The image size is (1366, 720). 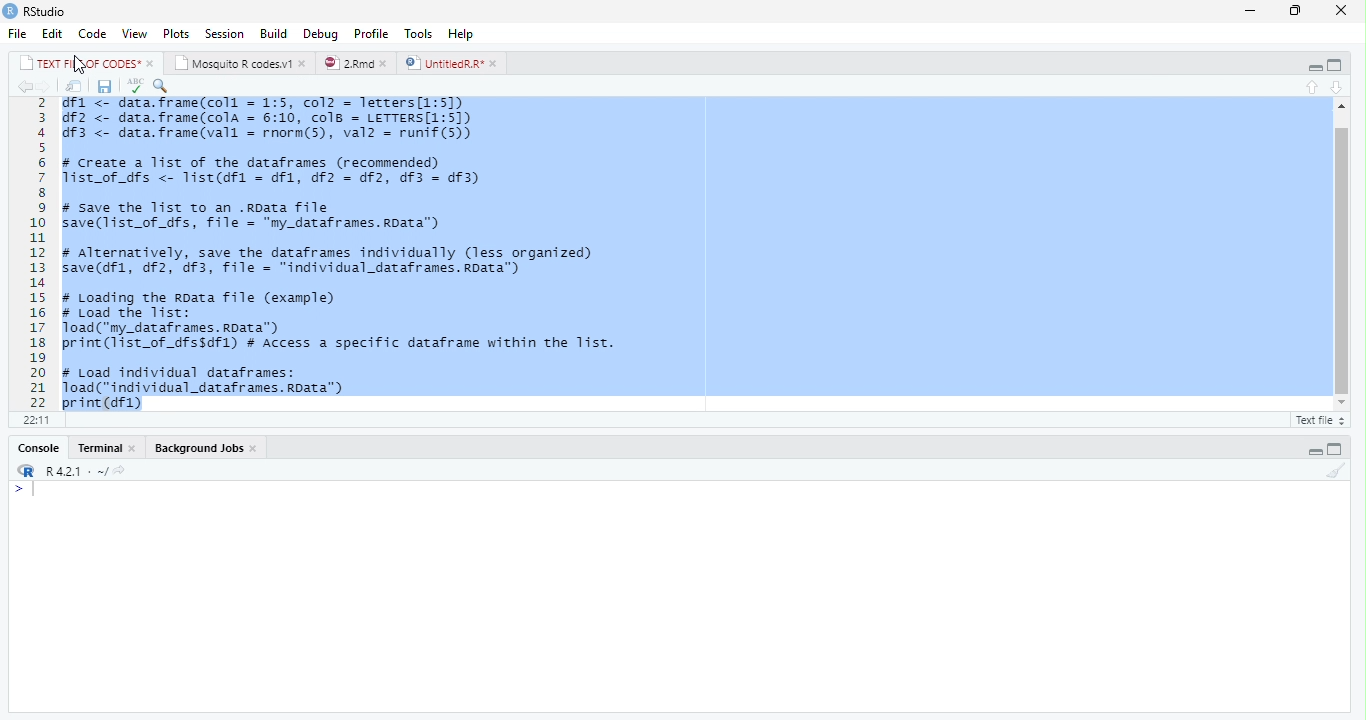 What do you see at coordinates (1312, 65) in the screenshot?
I see `Hide` at bounding box center [1312, 65].